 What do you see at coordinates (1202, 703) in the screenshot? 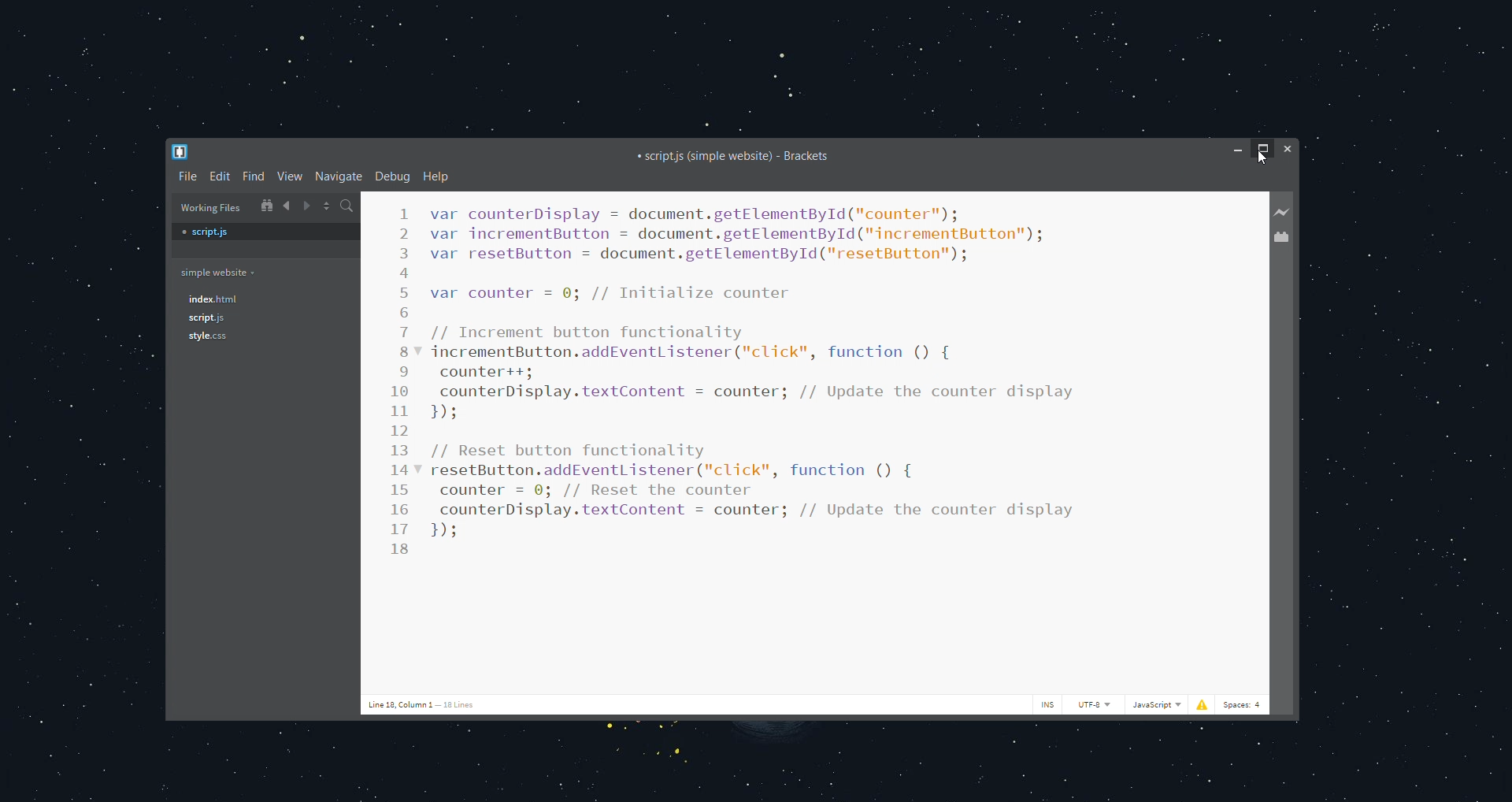
I see `show errors` at bounding box center [1202, 703].